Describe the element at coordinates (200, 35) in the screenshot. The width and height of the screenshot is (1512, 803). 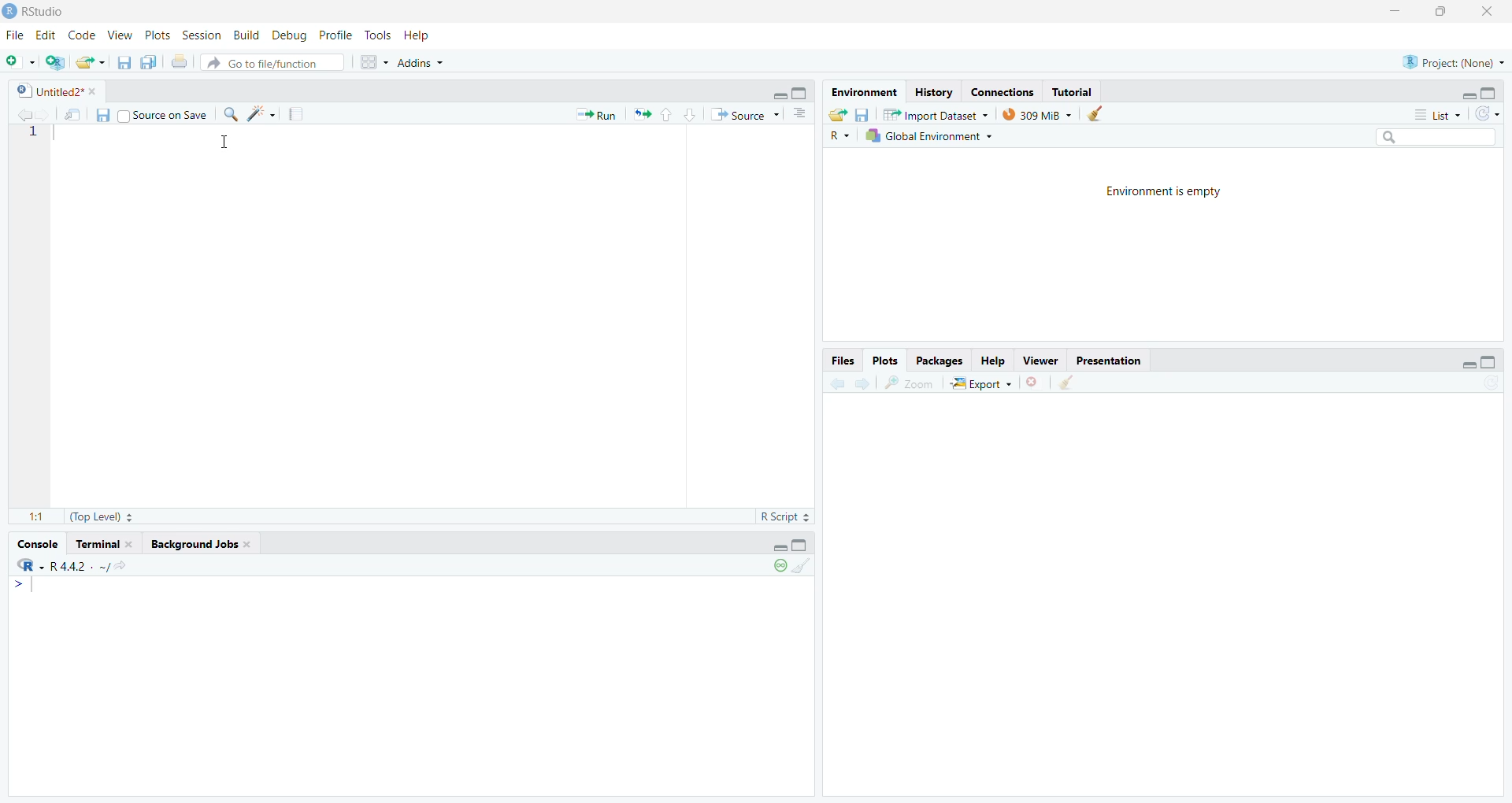
I see `Session` at that location.